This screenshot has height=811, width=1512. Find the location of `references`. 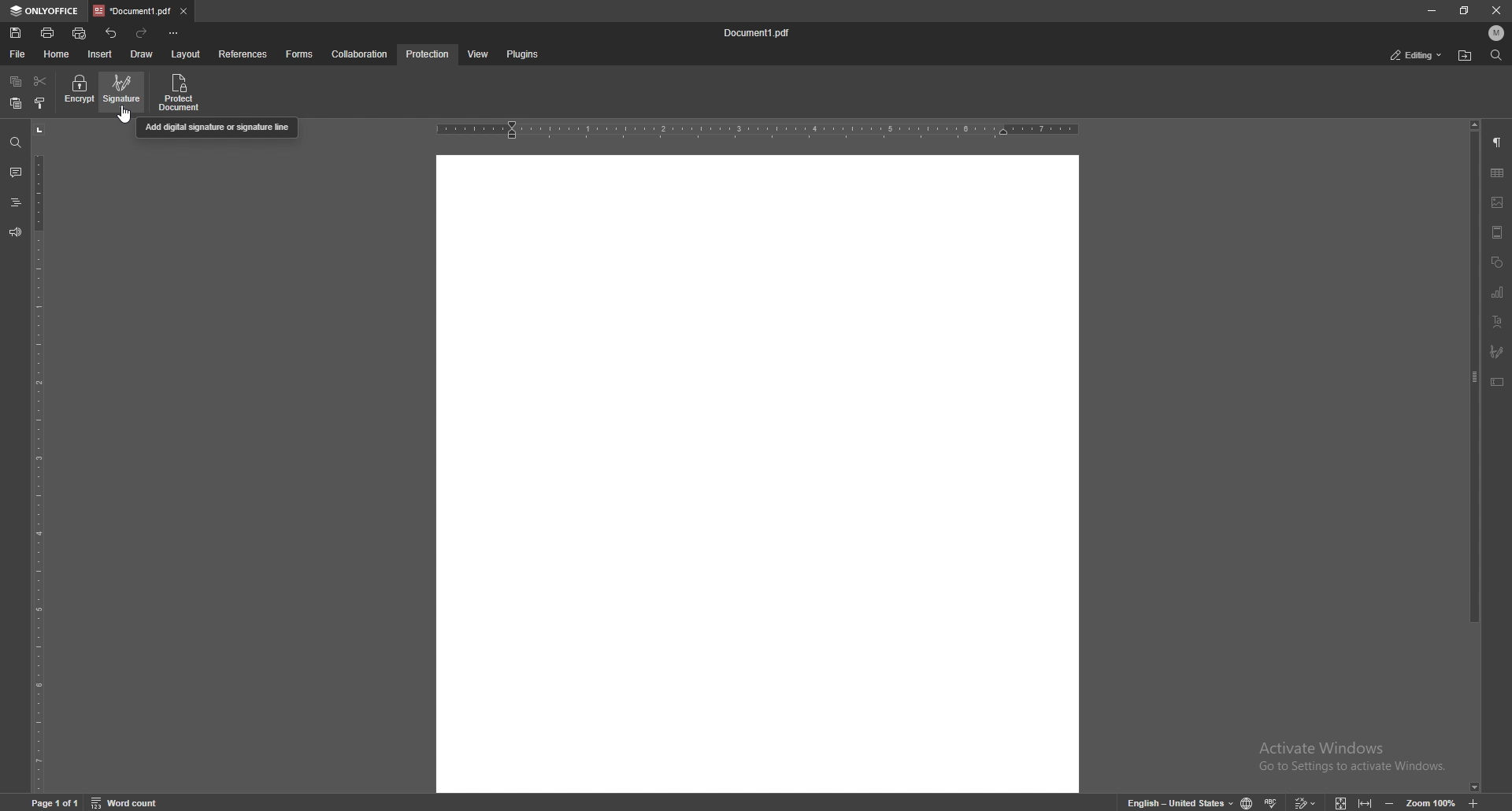

references is located at coordinates (245, 54).